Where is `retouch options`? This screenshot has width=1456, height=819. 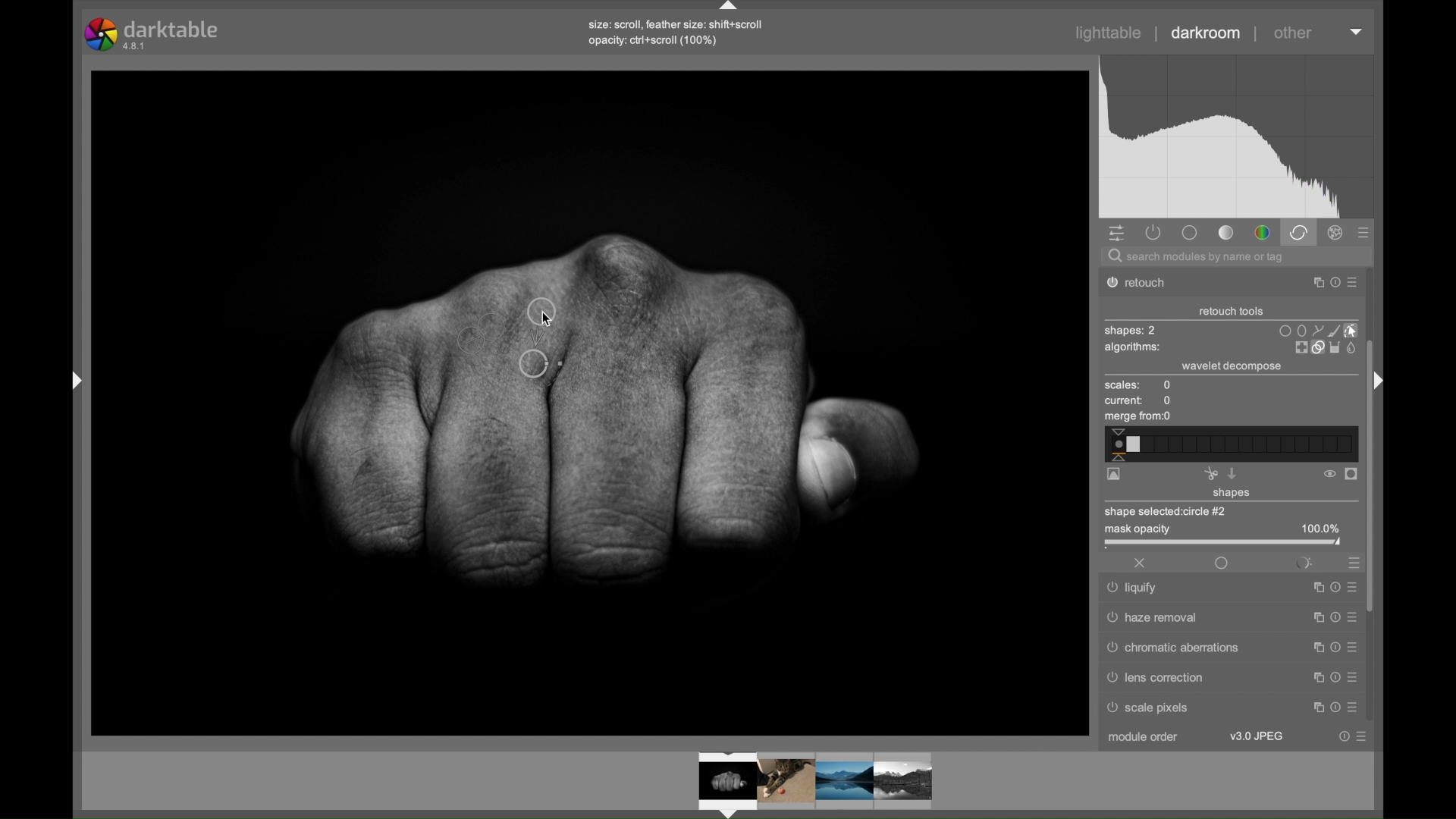
retouch options is located at coordinates (1324, 348).